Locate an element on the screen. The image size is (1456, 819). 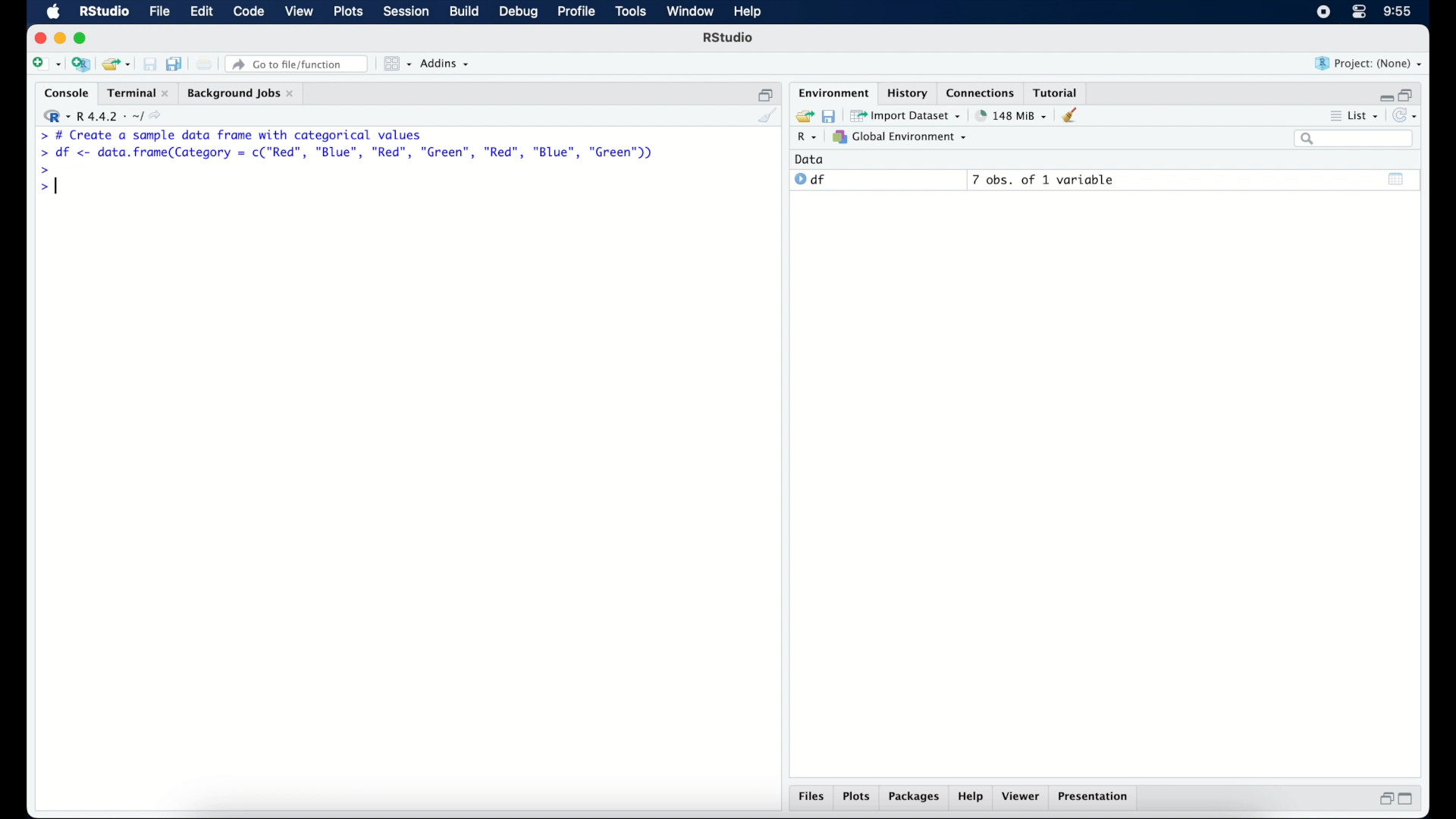
plots is located at coordinates (857, 798).